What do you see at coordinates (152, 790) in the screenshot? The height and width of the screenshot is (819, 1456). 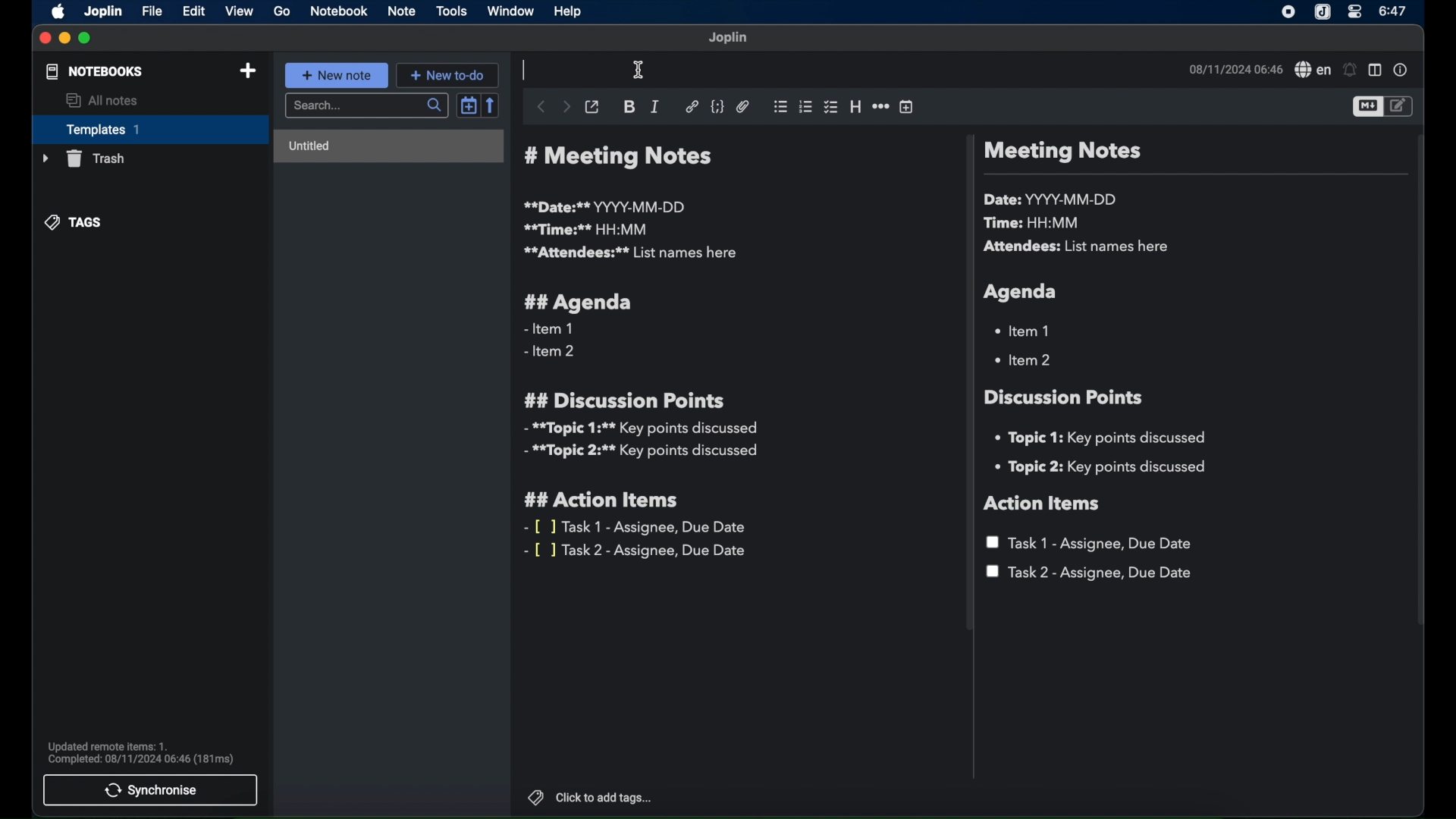 I see `synchronise` at bounding box center [152, 790].